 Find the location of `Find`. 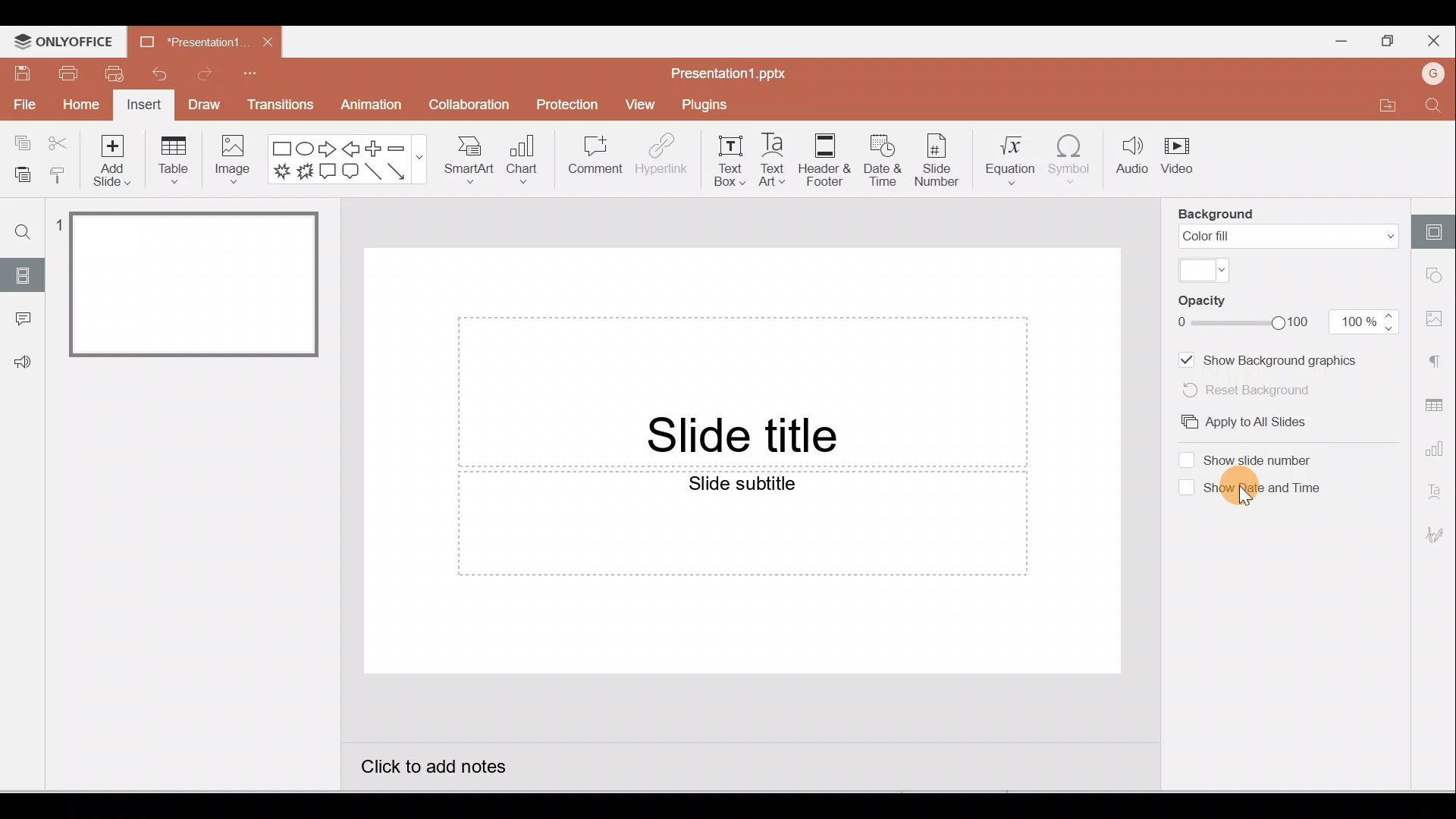

Find is located at coordinates (24, 227).